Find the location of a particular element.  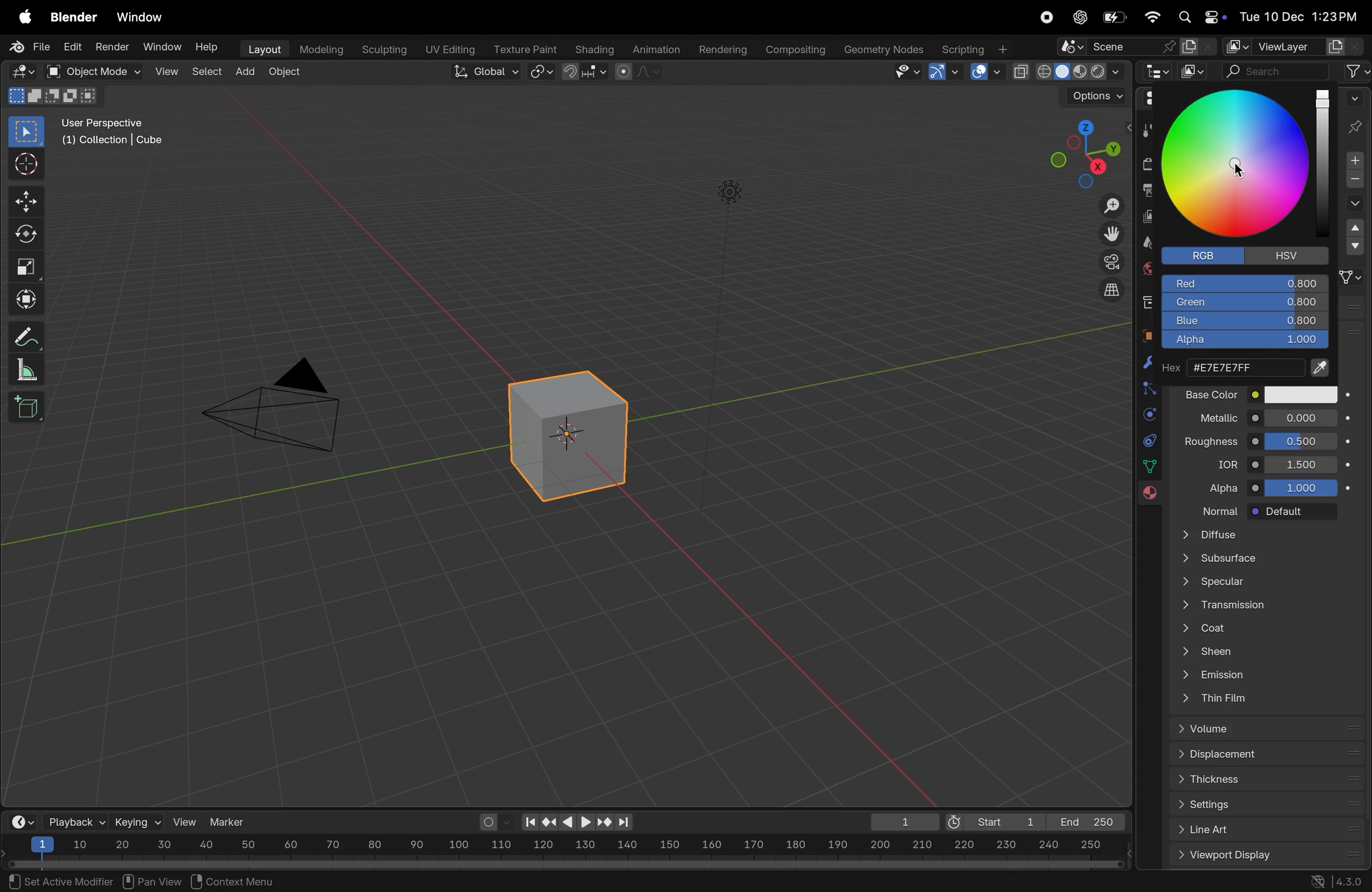

base color is located at coordinates (1212, 394).